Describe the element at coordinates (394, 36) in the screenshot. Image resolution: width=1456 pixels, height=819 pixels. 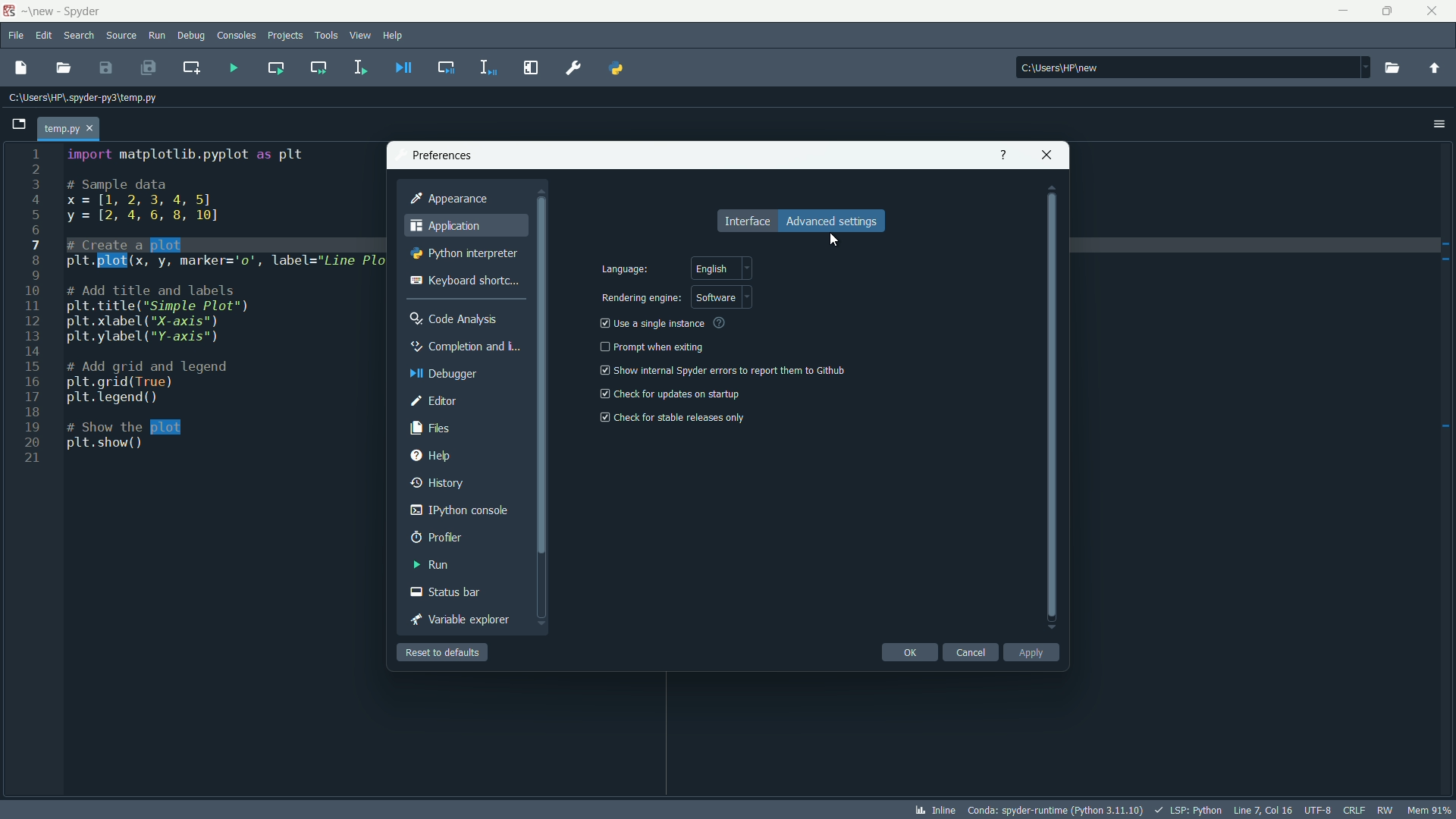
I see `help` at that location.